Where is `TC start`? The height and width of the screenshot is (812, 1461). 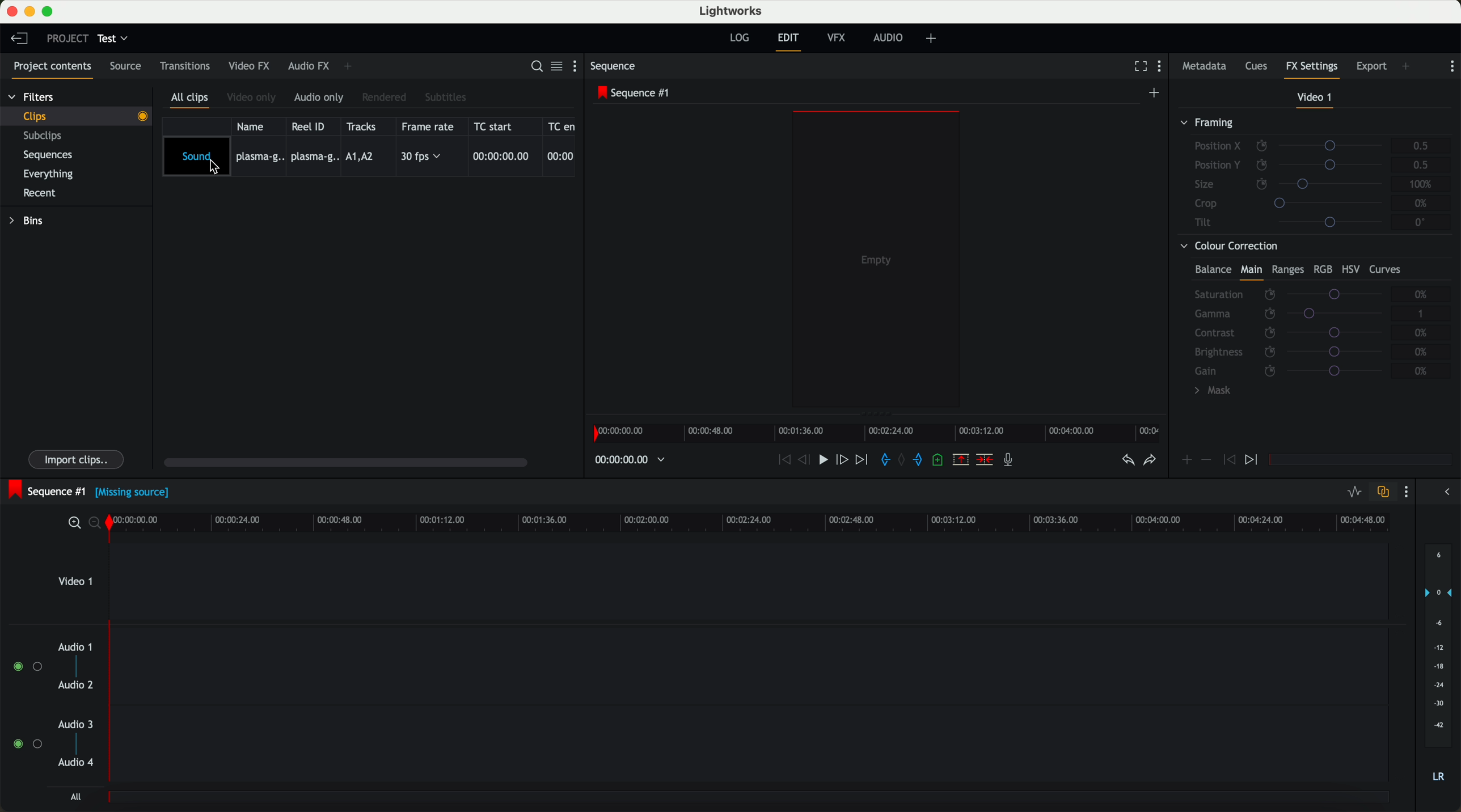 TC start is located at coordinates (498, 126).